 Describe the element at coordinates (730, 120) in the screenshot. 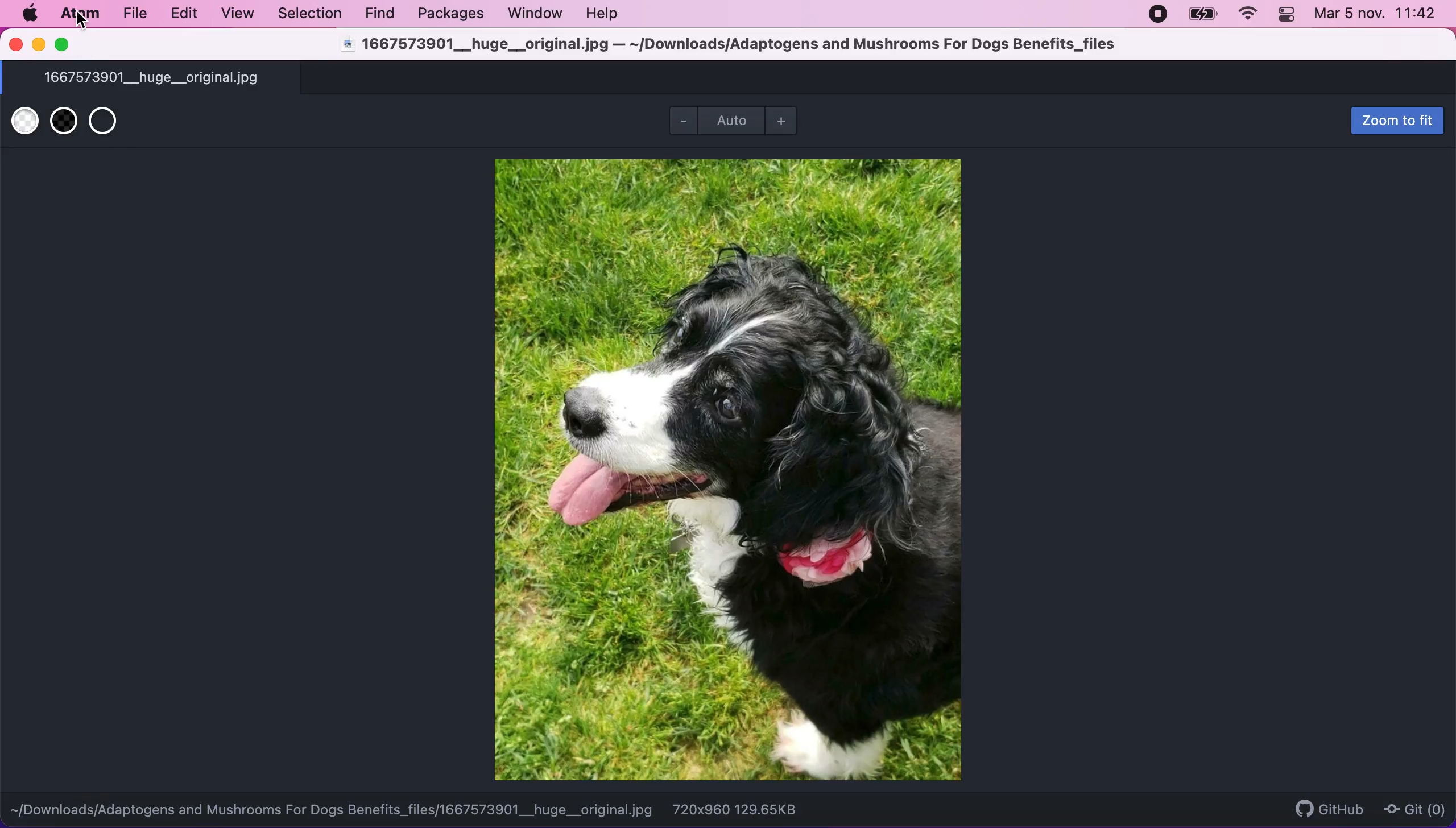

I see `auto` at that location.